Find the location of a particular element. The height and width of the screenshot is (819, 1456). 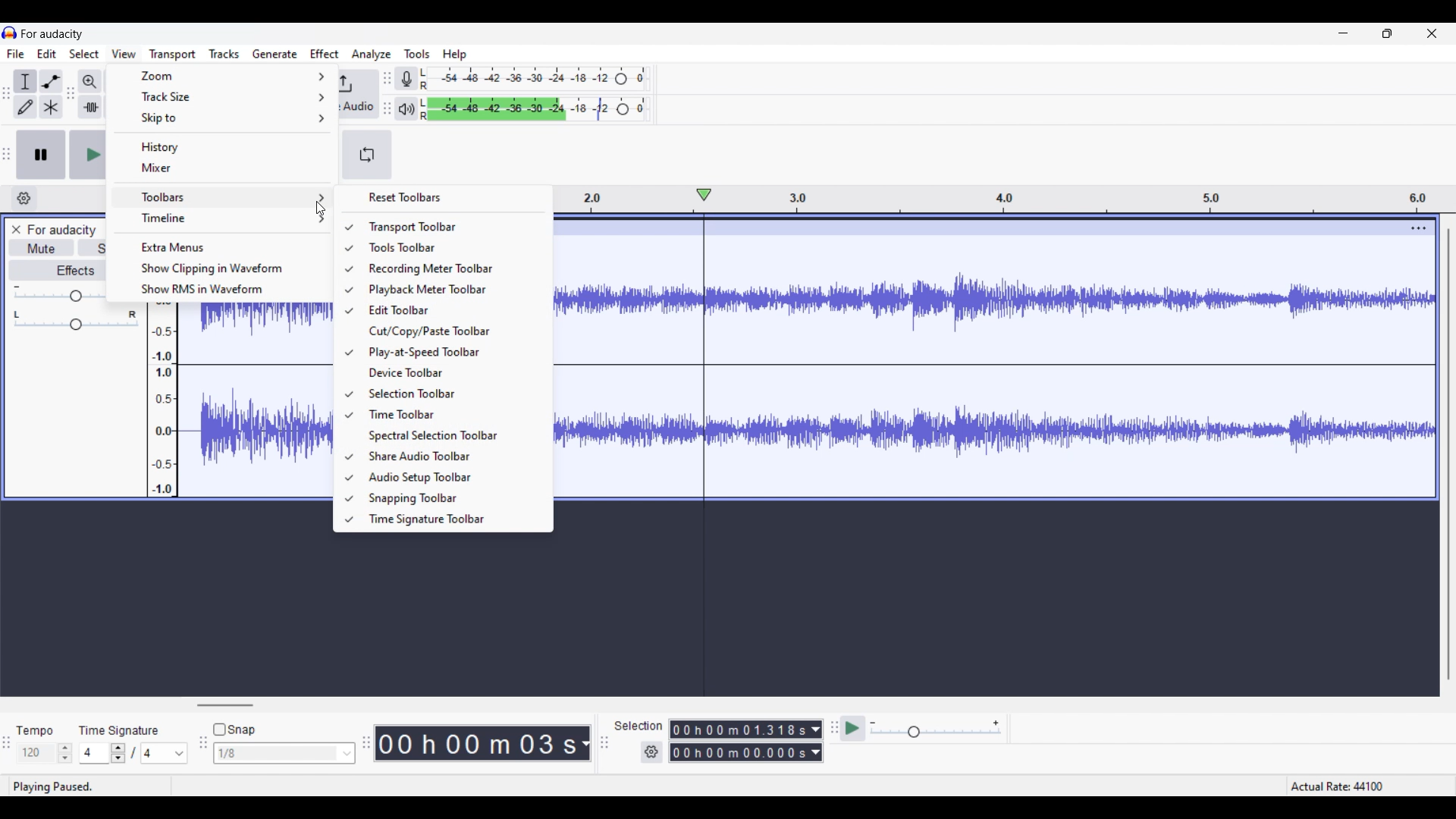

Show RMS in waveform is located at coordinates (222, 289).